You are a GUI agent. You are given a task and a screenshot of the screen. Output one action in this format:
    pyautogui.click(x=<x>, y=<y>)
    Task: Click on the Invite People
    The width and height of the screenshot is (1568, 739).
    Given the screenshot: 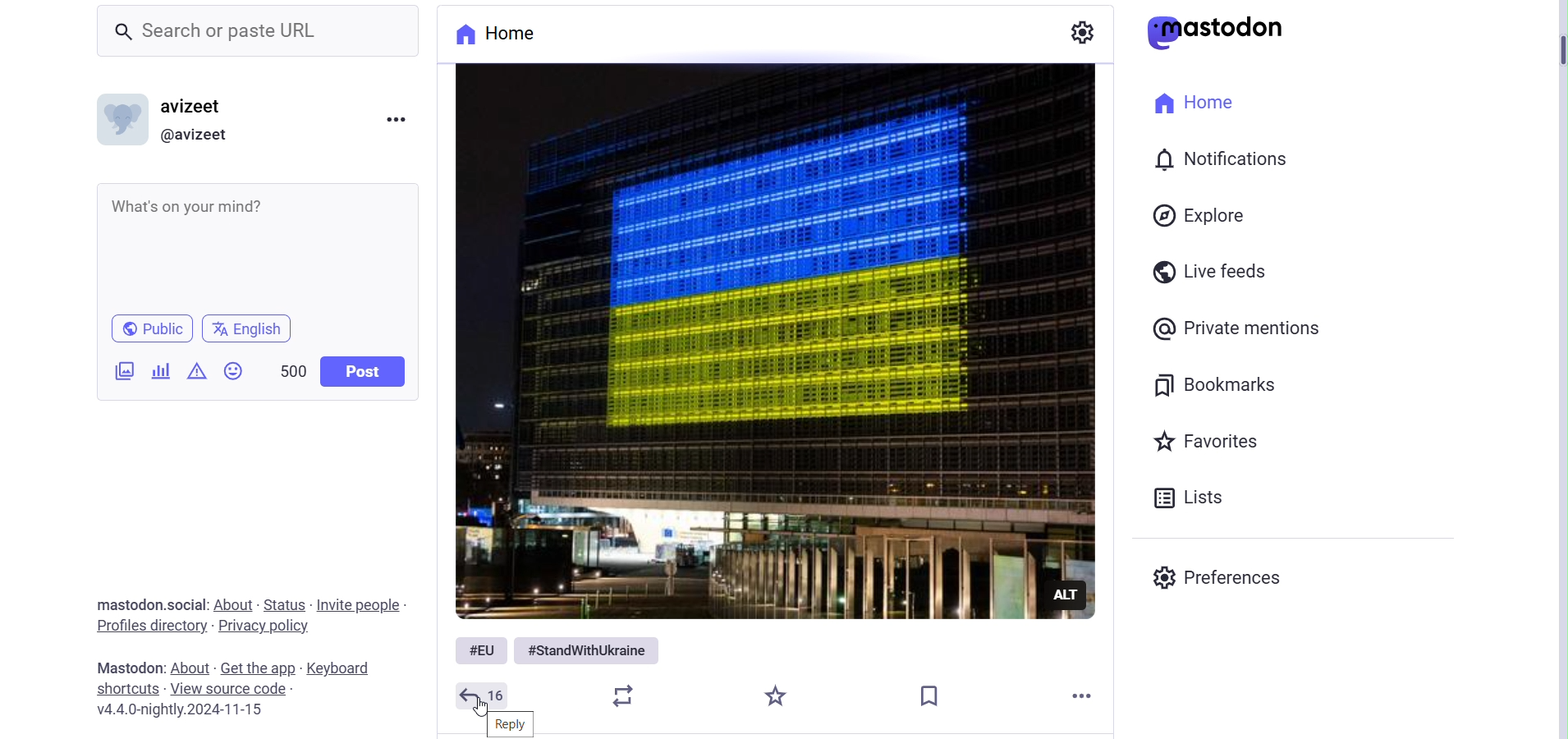 What is the action you would take?
    pyautogui.click(x=358, y=606)
    